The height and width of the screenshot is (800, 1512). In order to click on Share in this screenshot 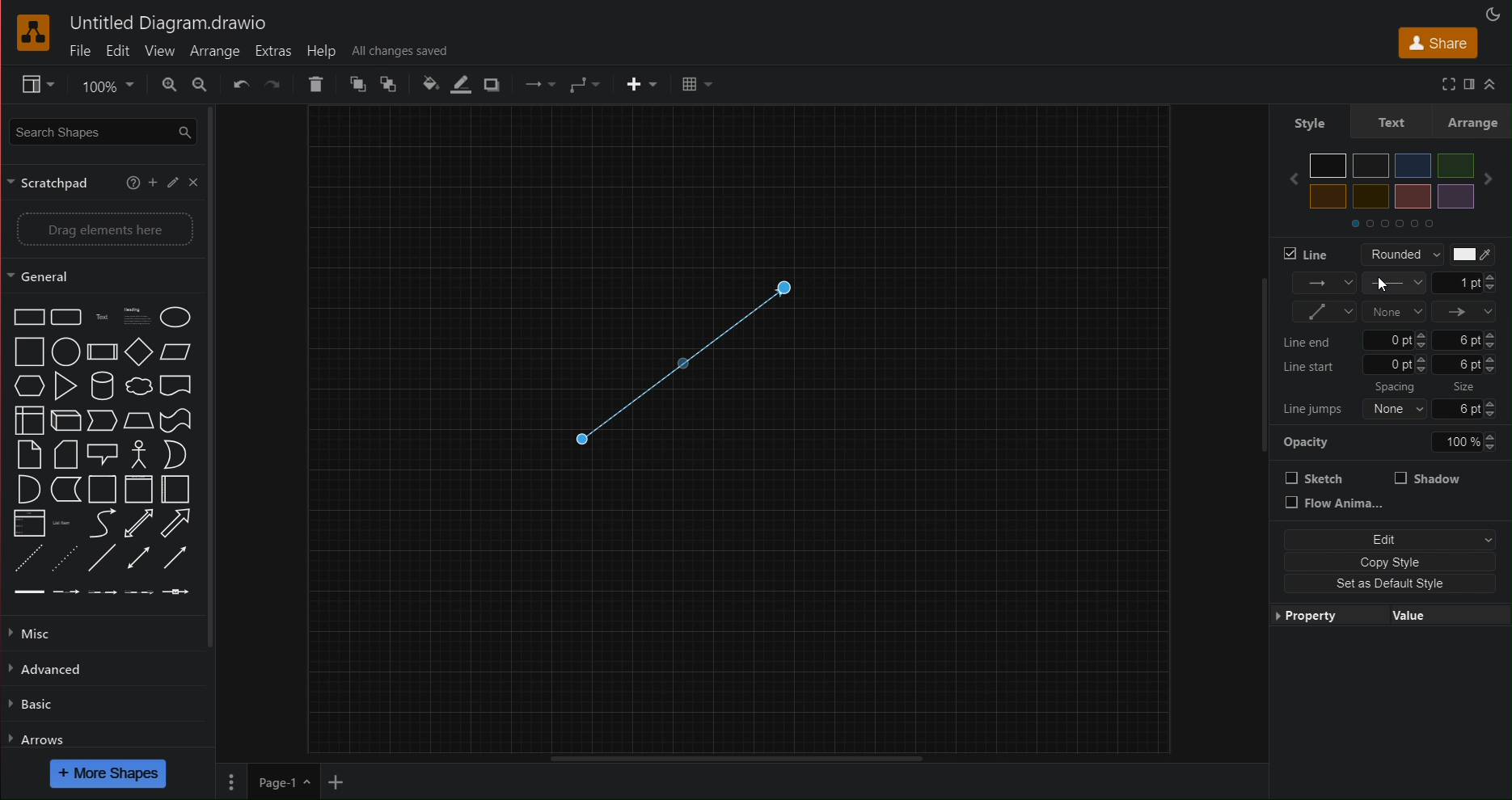, I will do `click(1434, 42)`.